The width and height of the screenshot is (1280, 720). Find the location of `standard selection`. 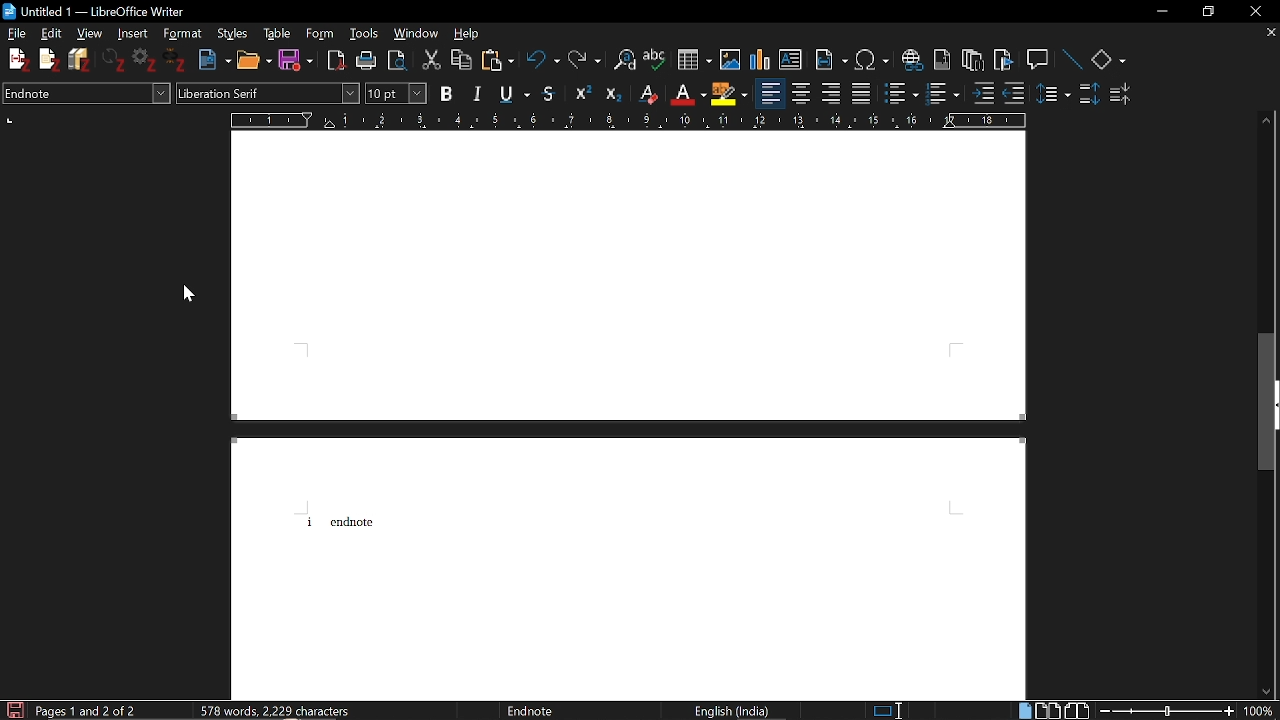

standard selection is located at coordinates (890, 711).